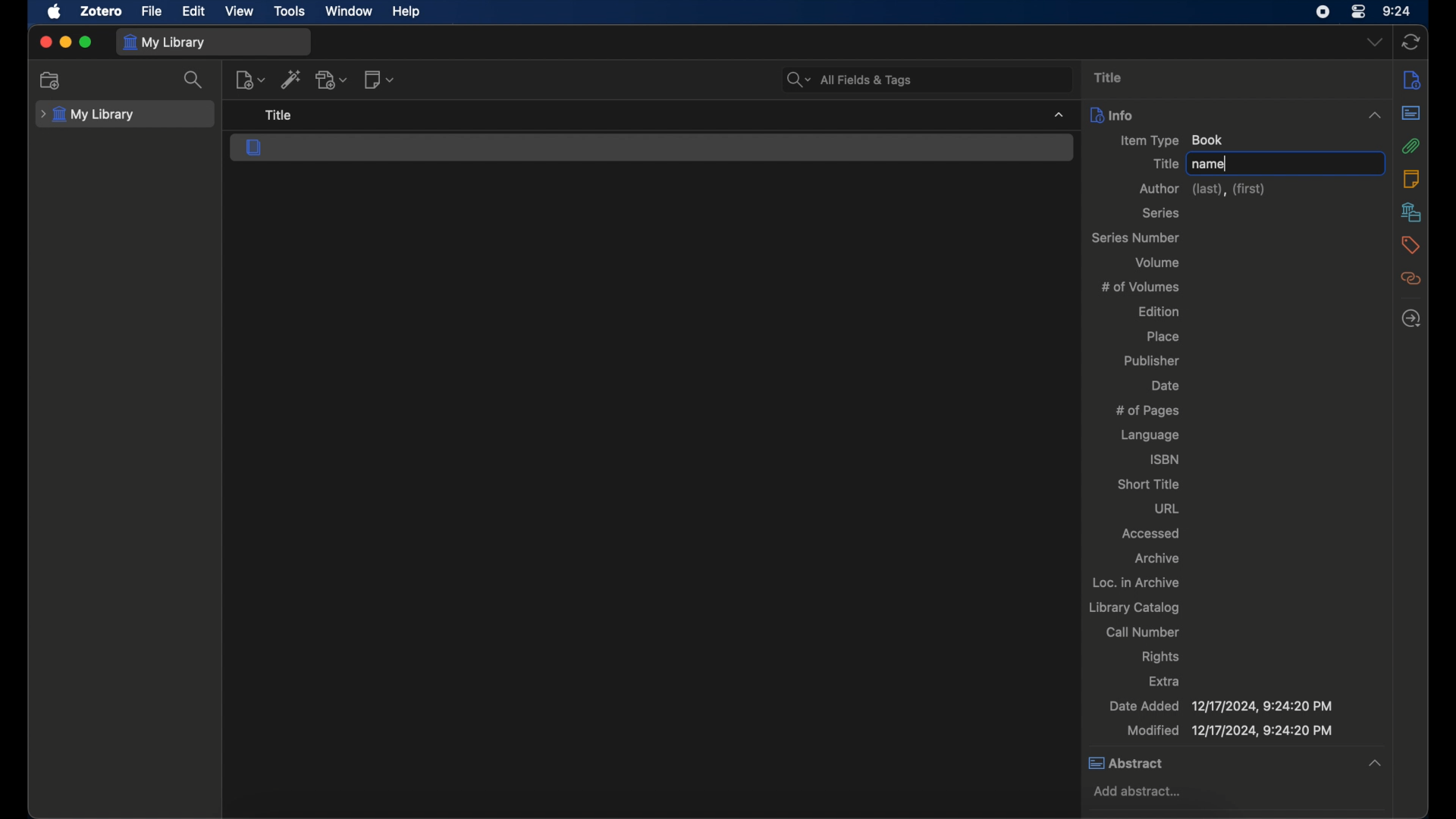 The width and height of the screenshot is (1456, 819). What do you see at coordinates (255, 147) in the screenshot?
I see `book` at bounding box center [255, 147].